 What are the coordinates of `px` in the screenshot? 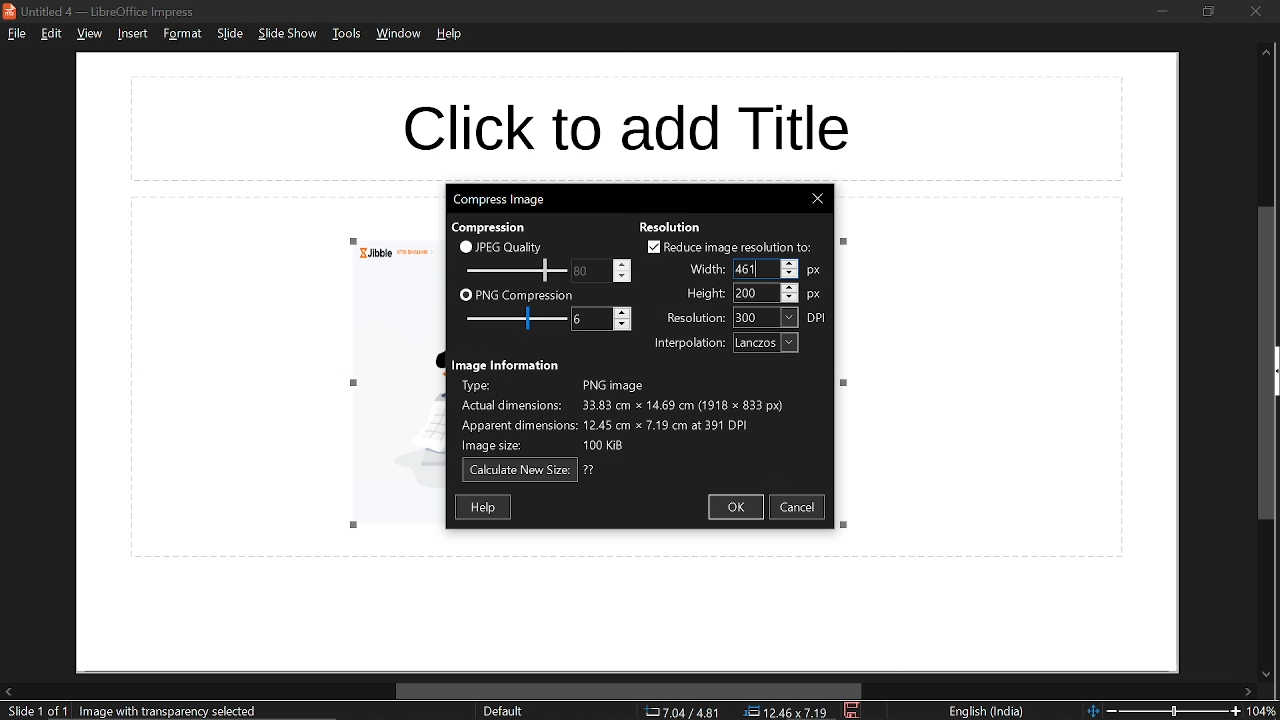 It's located at (815, 295).